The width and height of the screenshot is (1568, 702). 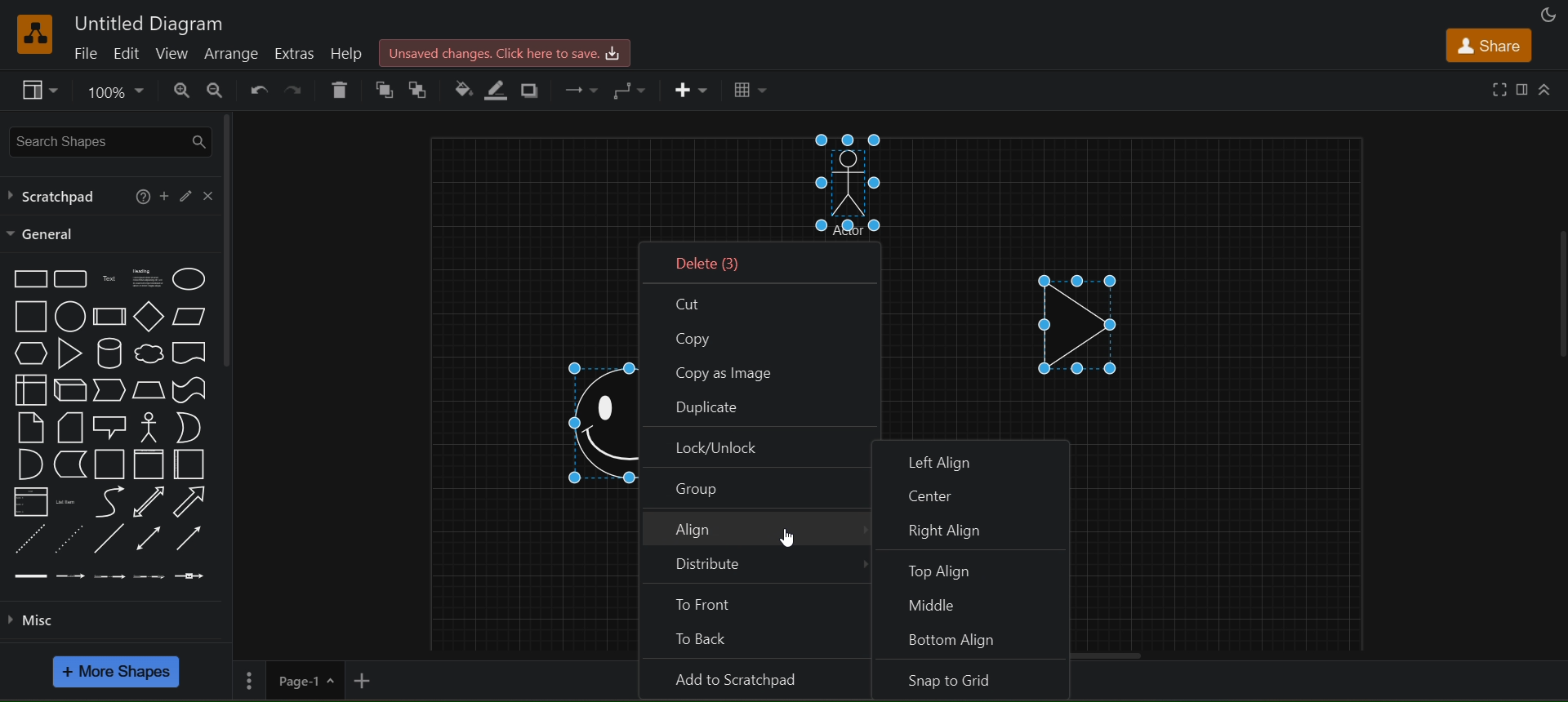 I want to click on line, so click(x=110, y=539).